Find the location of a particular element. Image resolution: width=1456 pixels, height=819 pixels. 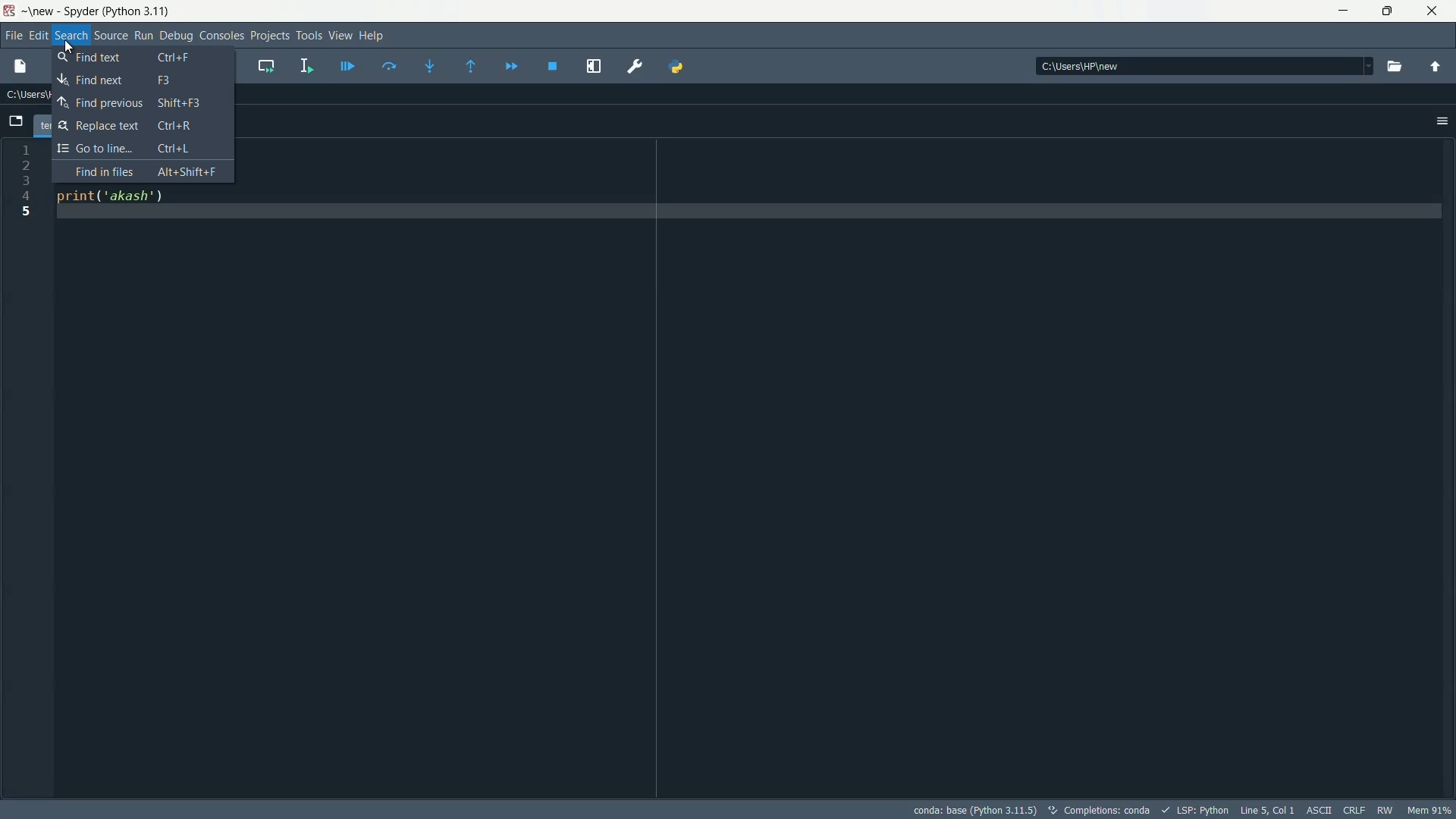

debug until next function is located at coordinates (513, 66).